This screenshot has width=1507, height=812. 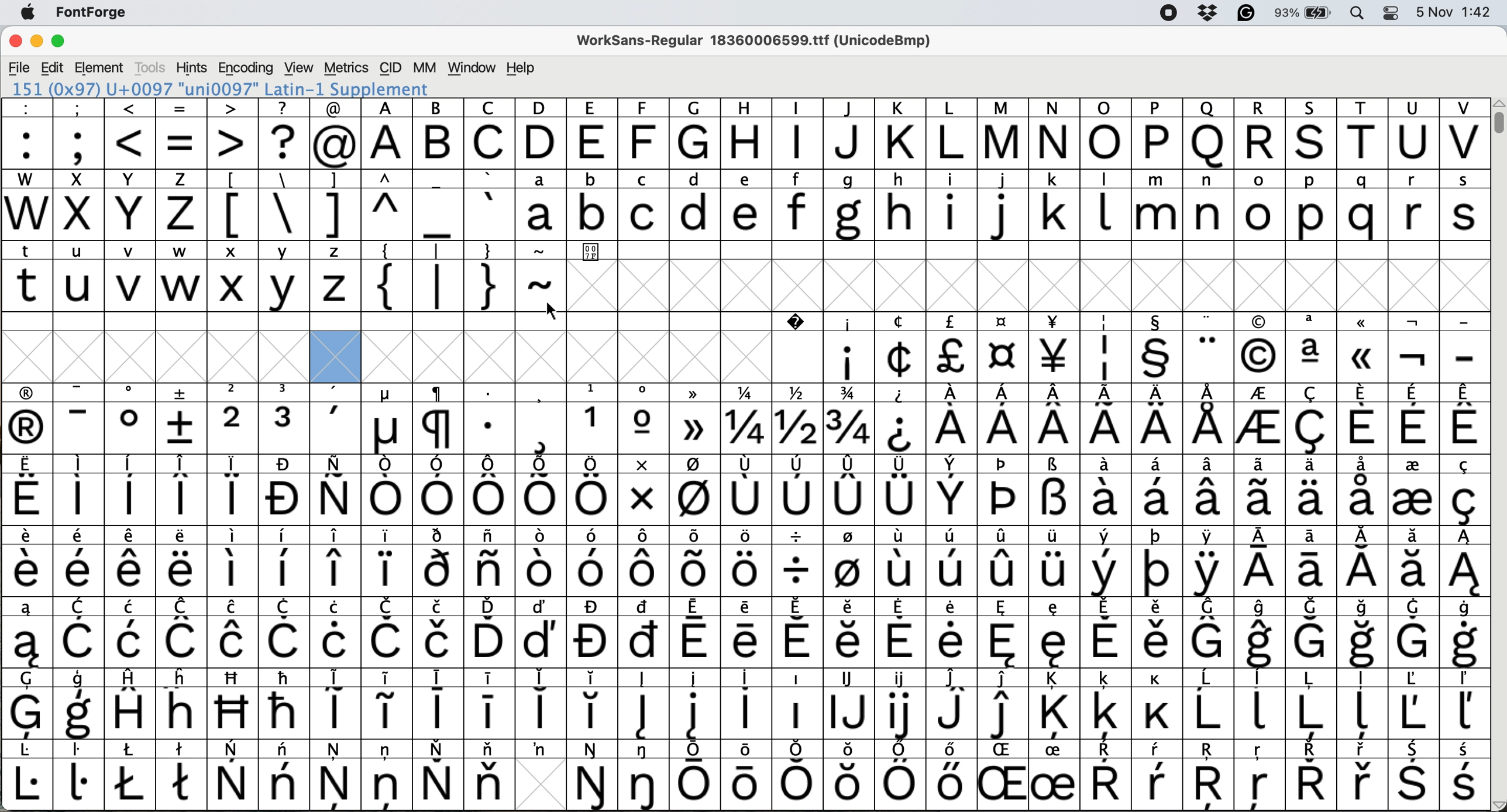 What do you see at coordinates (27, 13) in the screenshot?
I see `system logo` at bounding box center [27, 13].